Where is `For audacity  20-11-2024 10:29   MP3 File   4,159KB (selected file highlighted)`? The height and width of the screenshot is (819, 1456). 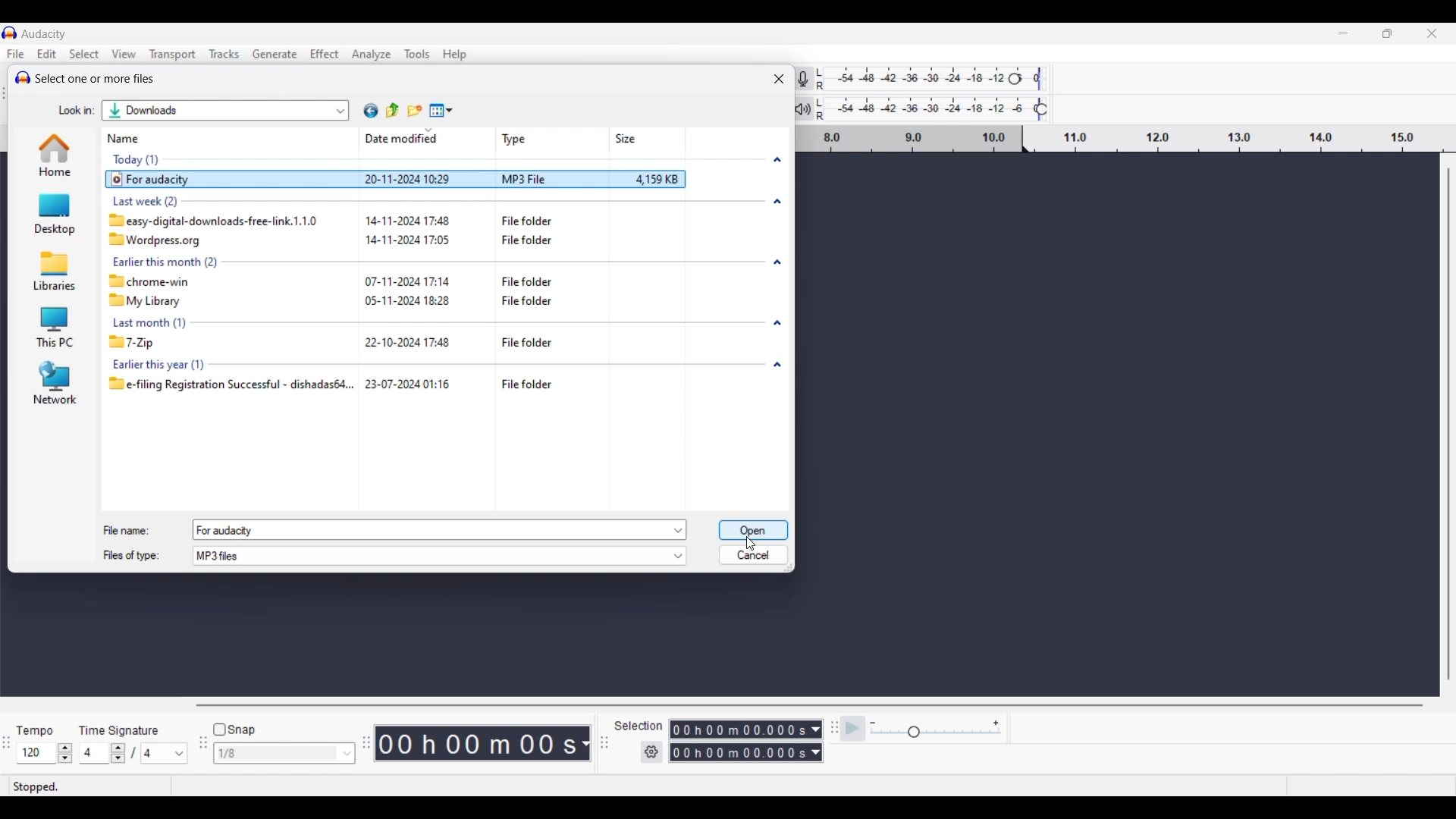
For audacity  20-11-2024 10:29   MP3 File   4,159KB (selected file highlighted) is located at coordinates (416, 180).